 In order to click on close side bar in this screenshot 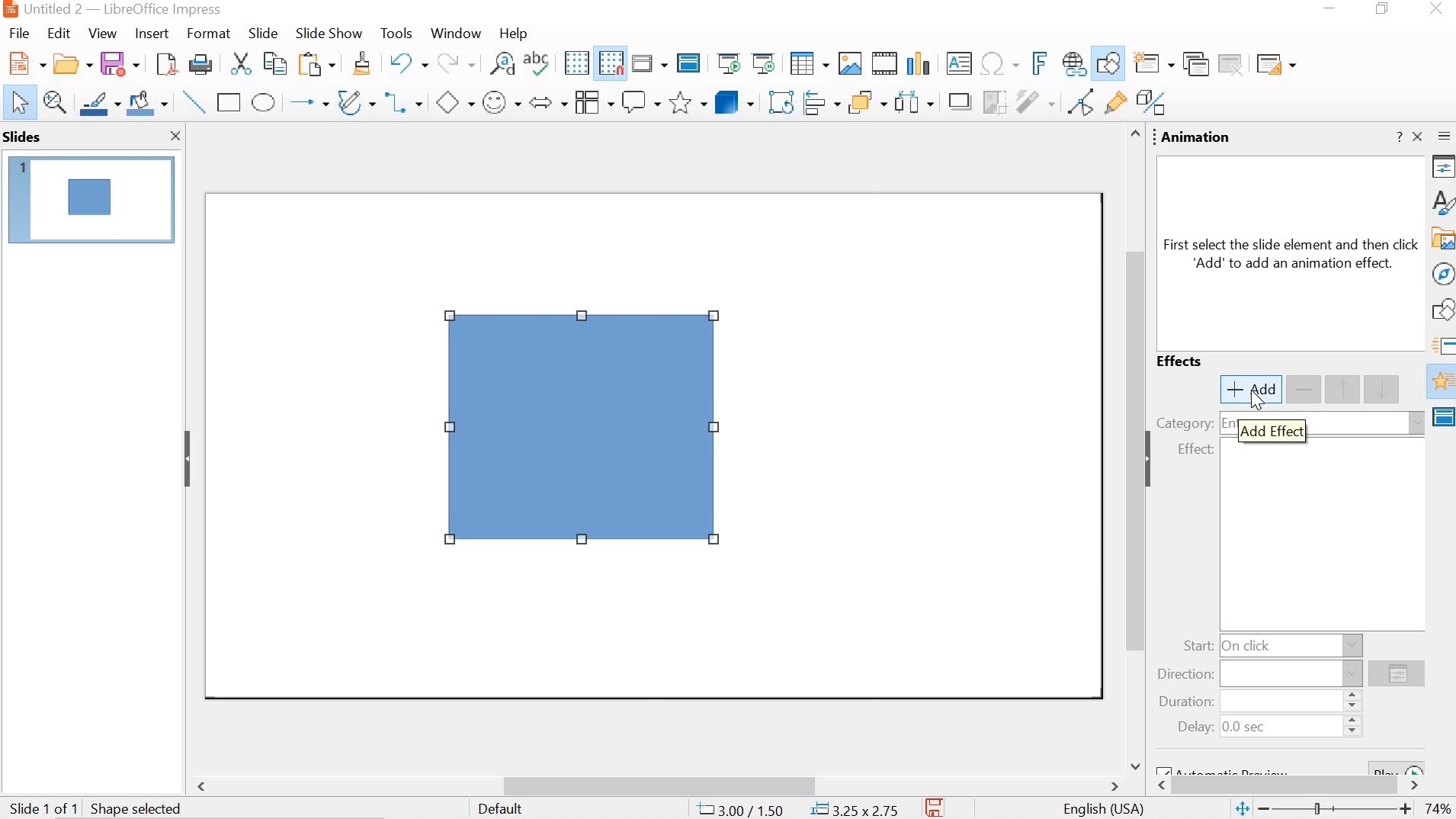, I will do `click(1417, 136)`.